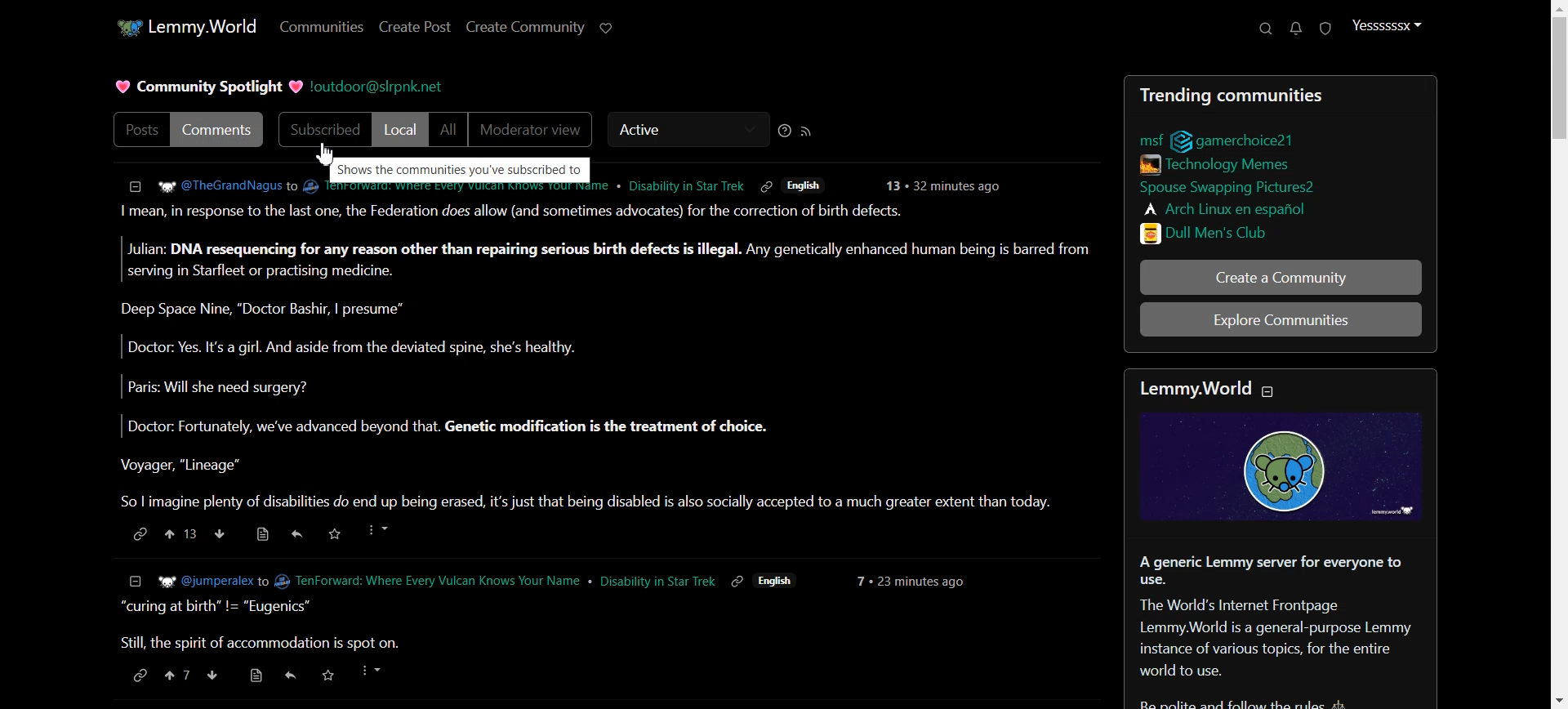  What do you see at coordinates (206, 184) in the screenshot?
I see `username` at bounding box center [206, 184].